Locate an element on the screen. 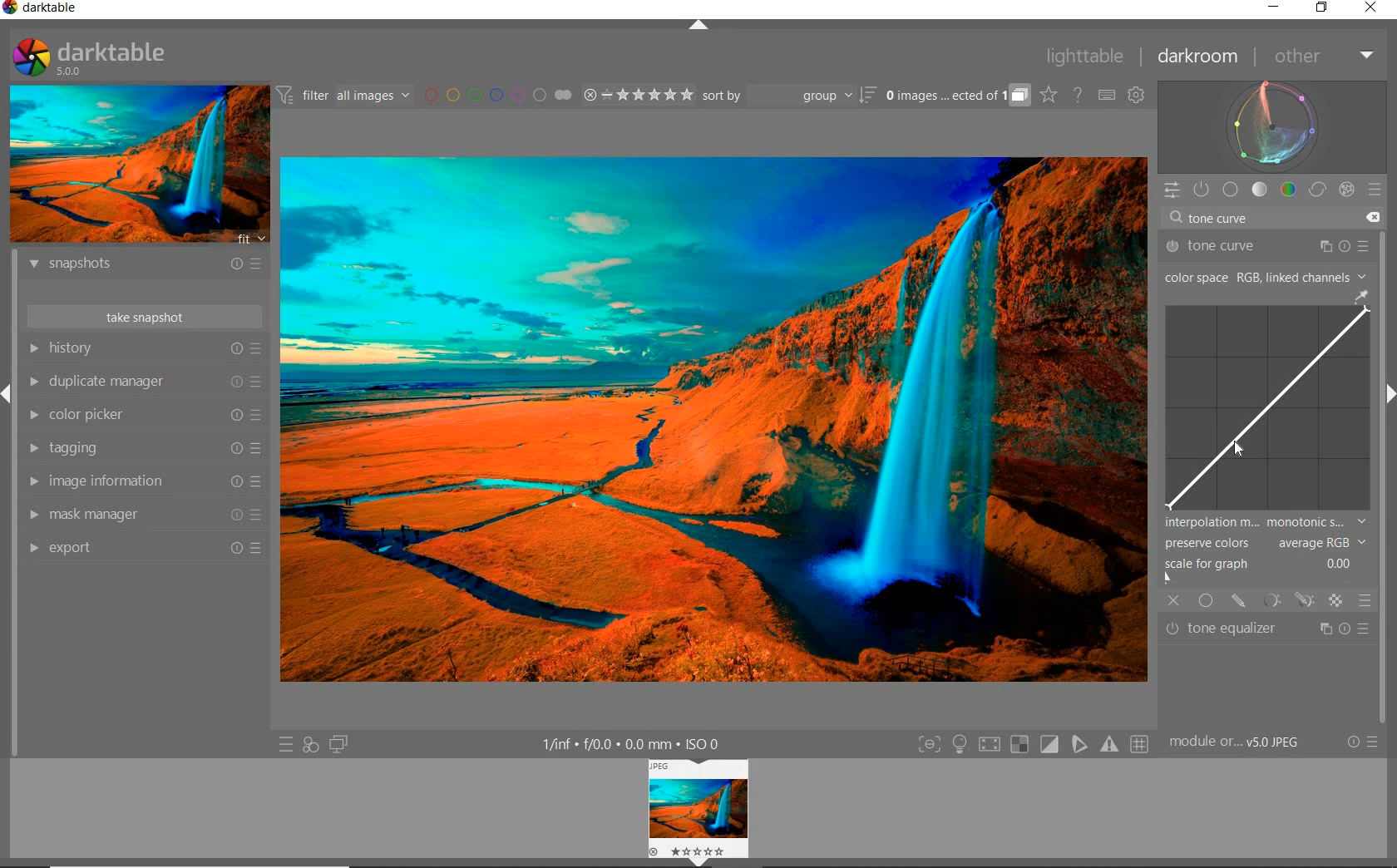  other is located at coordinates (1320, 56).